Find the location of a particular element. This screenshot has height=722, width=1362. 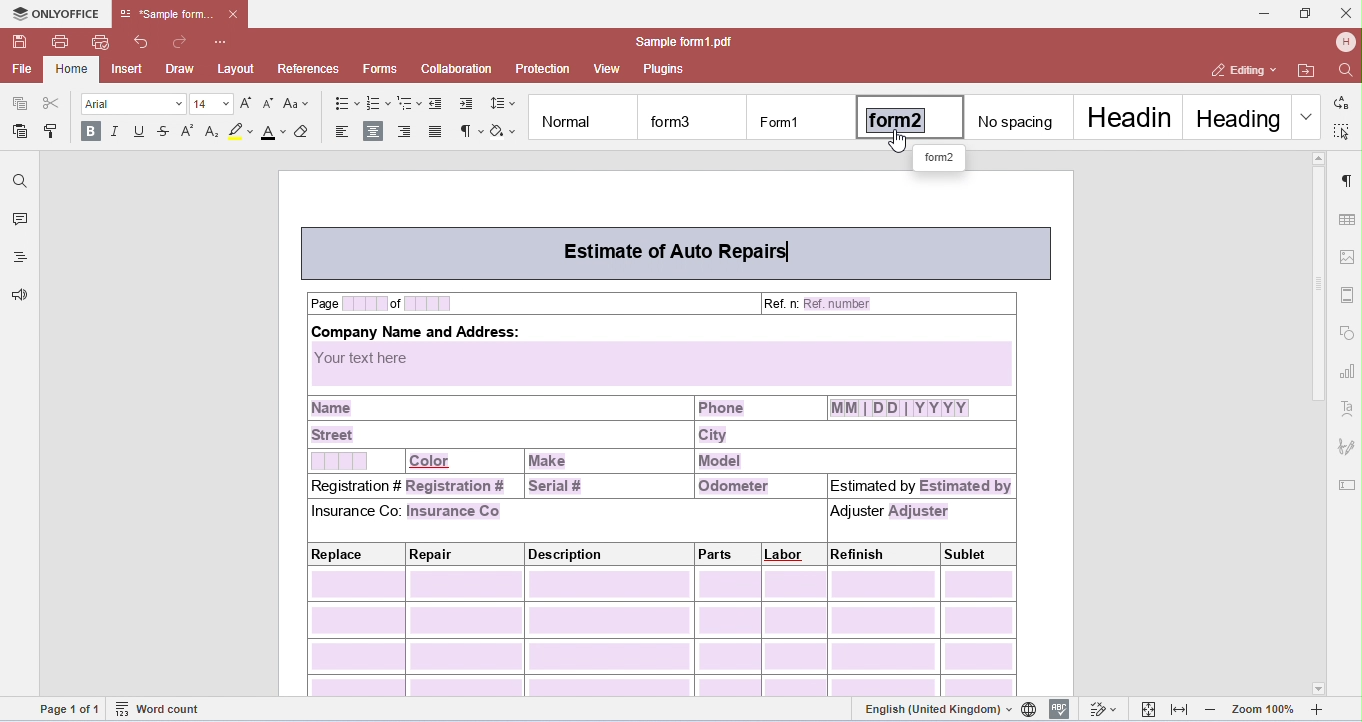

bulleted style is located at coordinates (345, 104).